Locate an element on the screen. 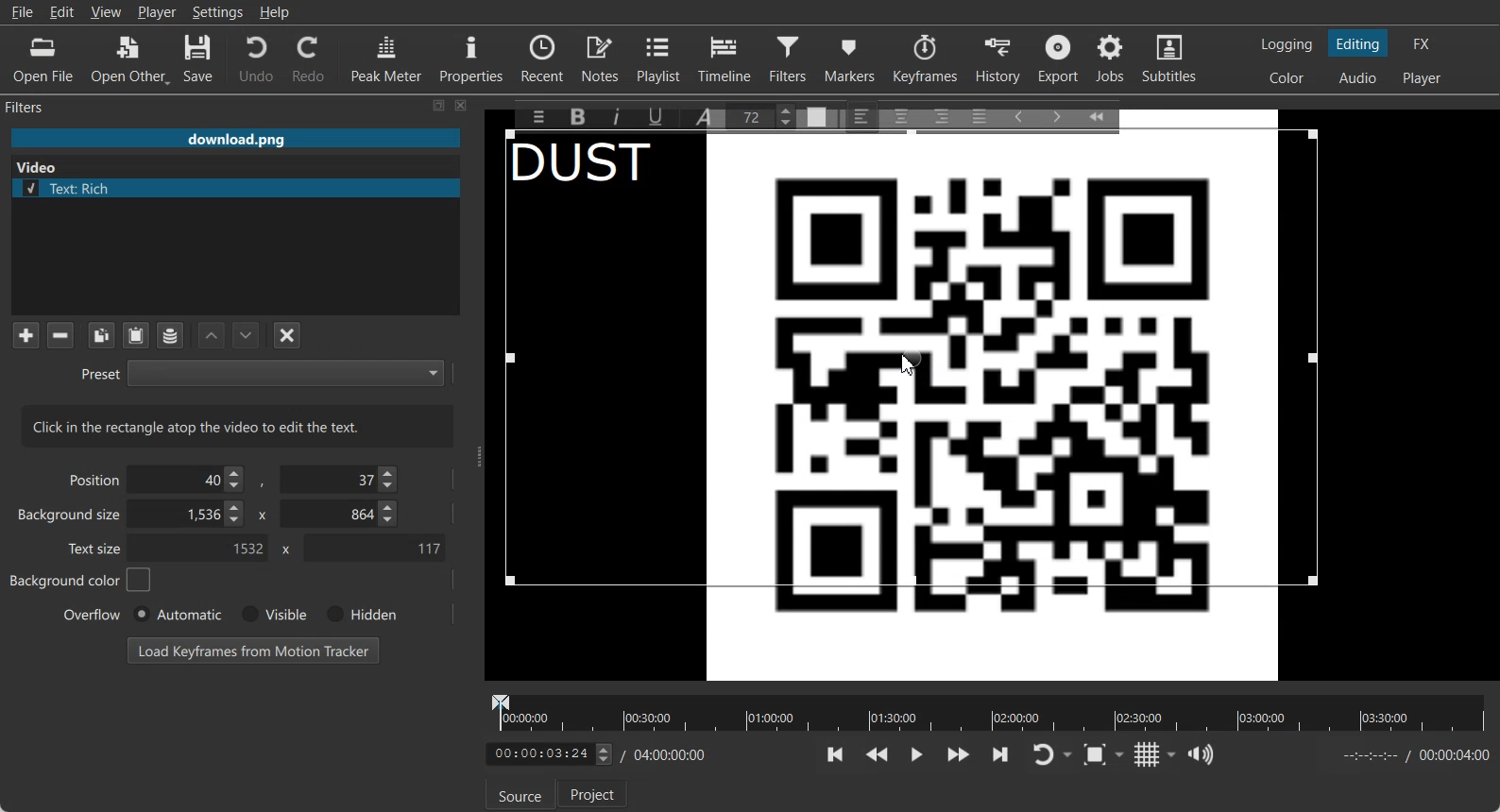 Image resolution: width=1500 pixels, height=812 pixels. Filters is located at coordinates (791, 58).